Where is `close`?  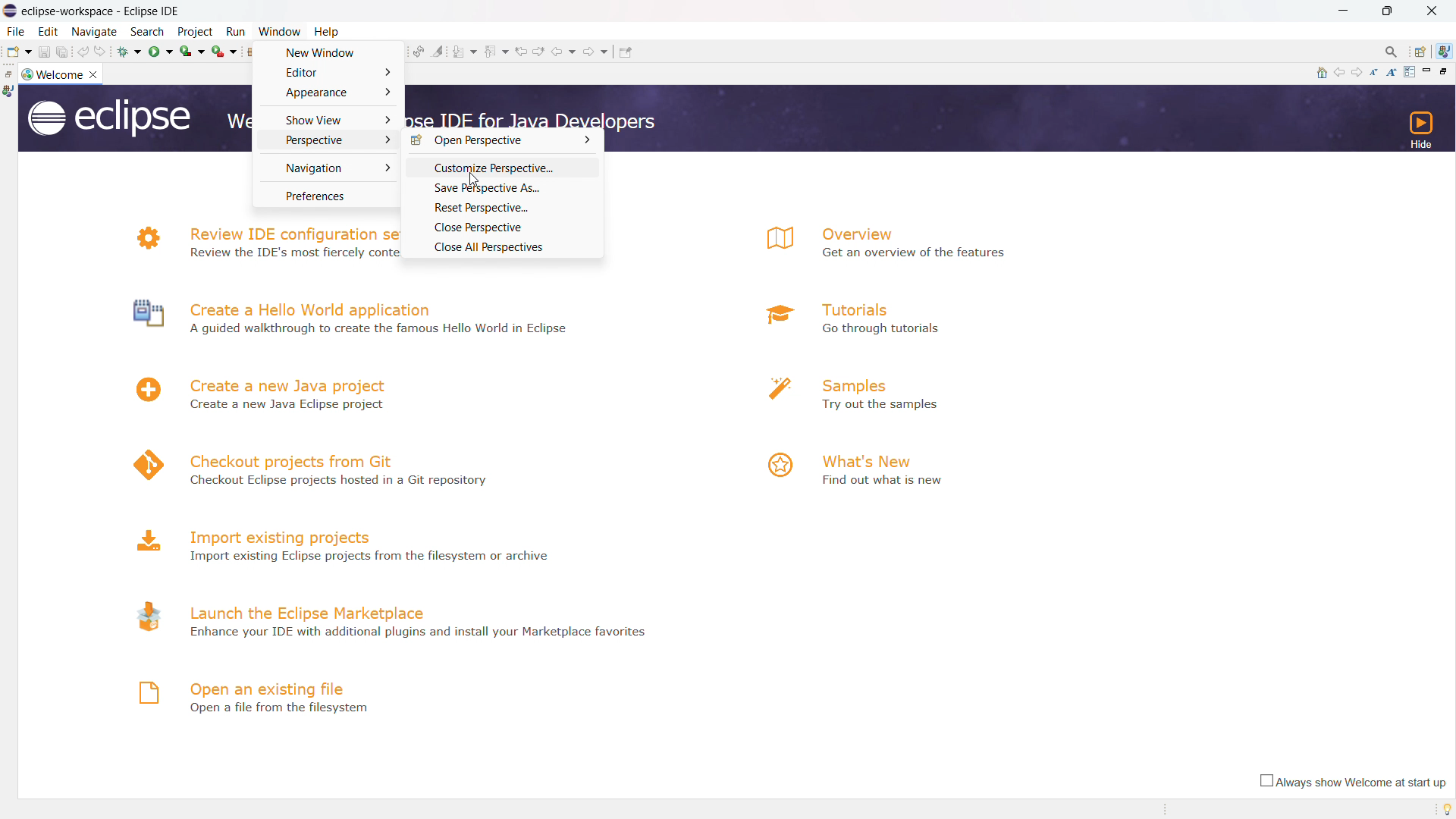
close is located at coordinates (1433, 11).